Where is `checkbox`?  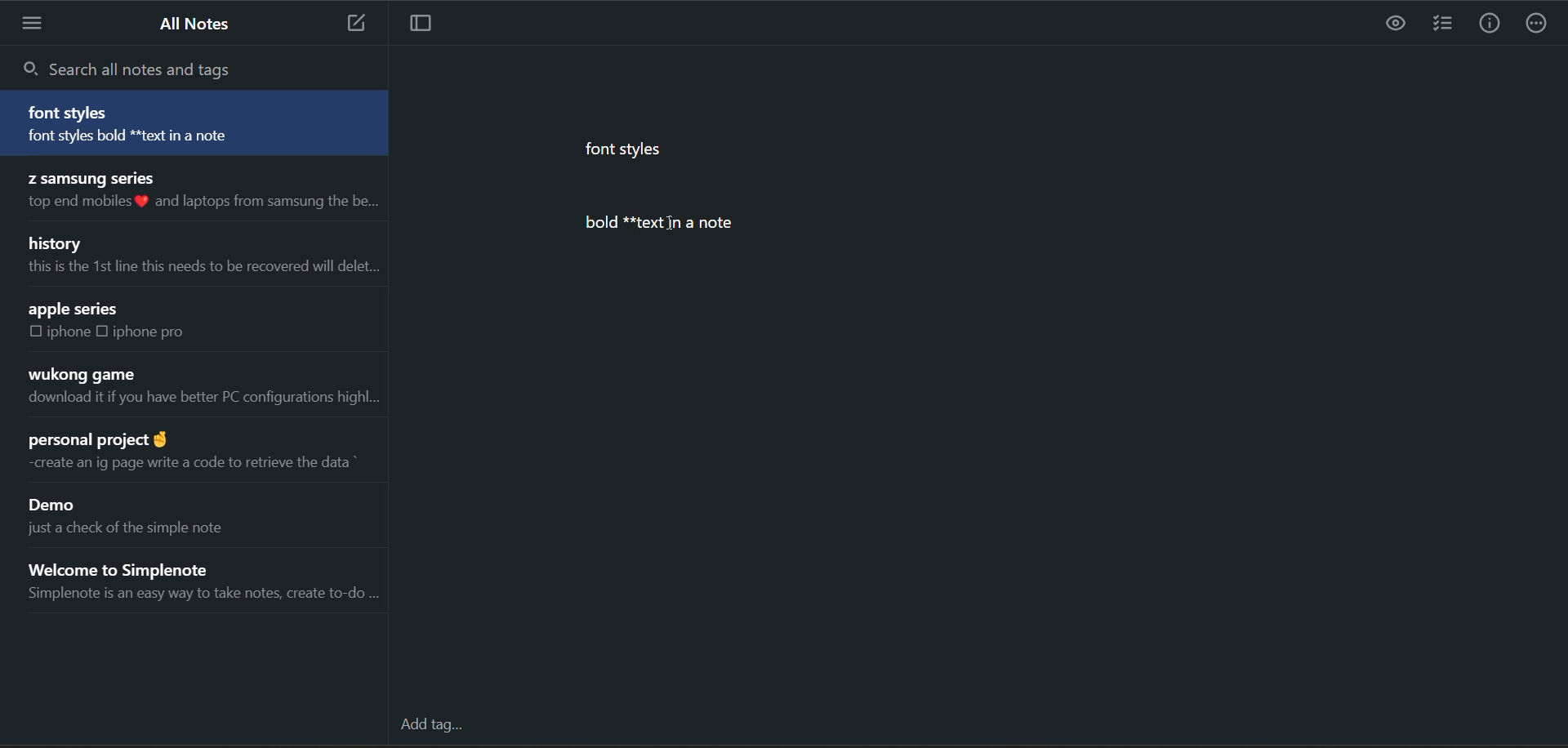 checkbox is located at coordinates (36, 332).